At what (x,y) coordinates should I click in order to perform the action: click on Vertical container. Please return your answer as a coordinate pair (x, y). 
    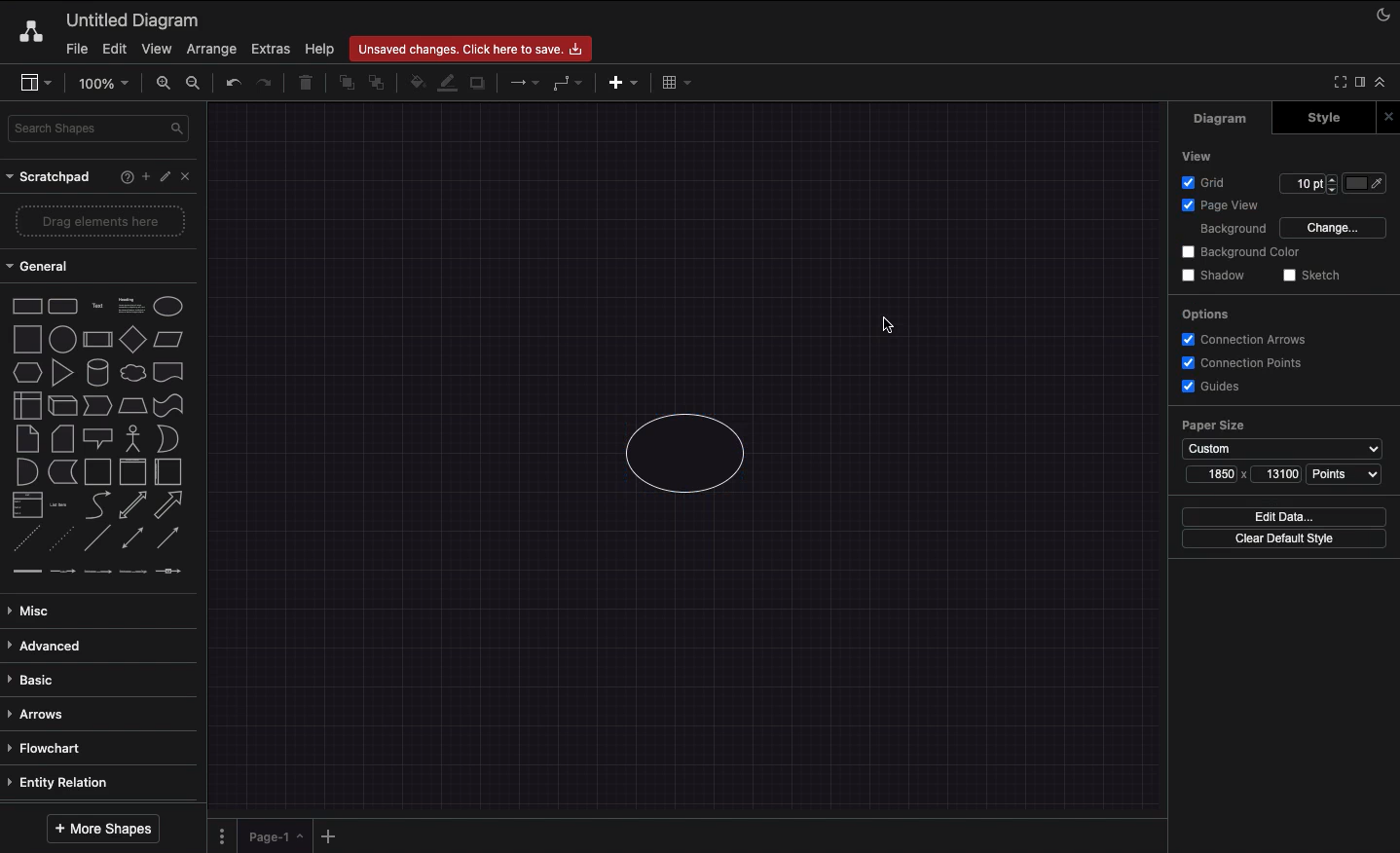
    Looking at the image, I should click on (133, 470).